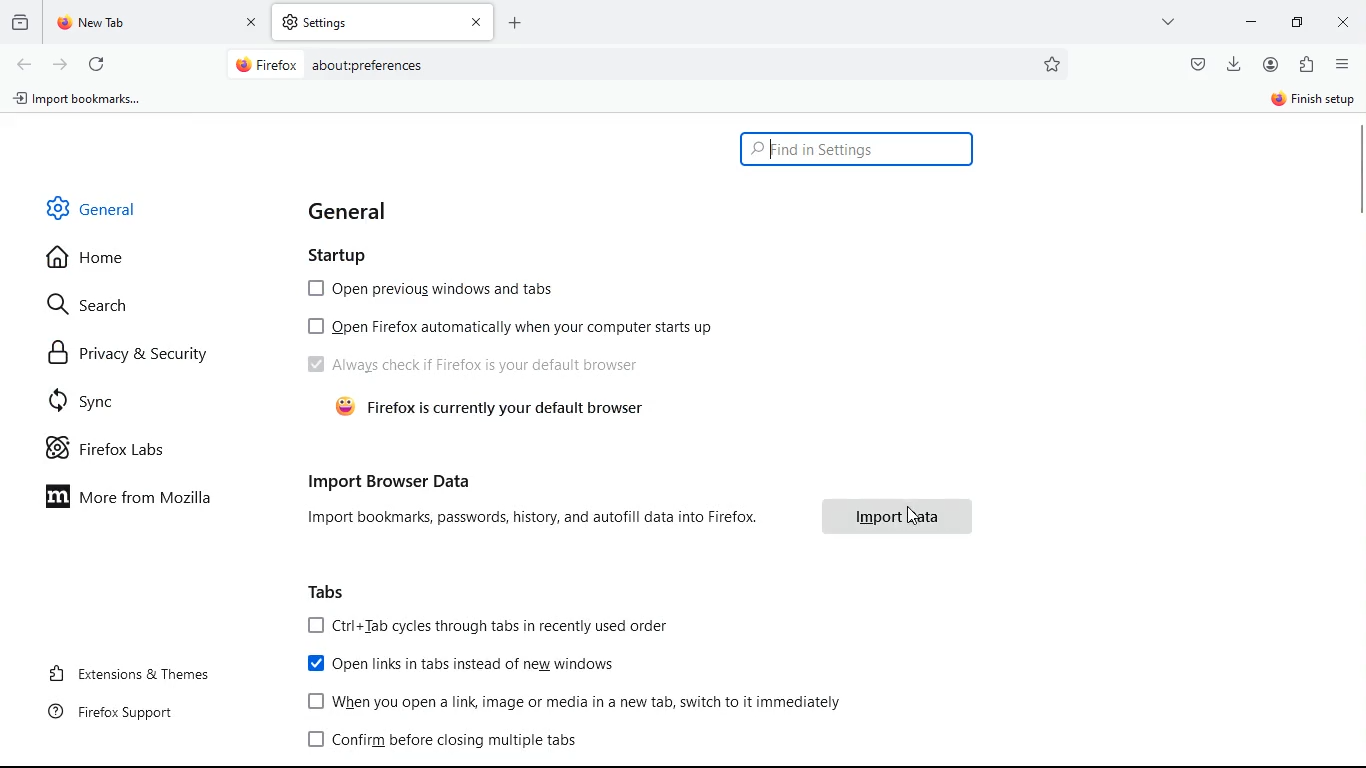 The image size is (1366, 768). What do you see at coordinates (1340, 65) in the screenshot?
I see `menu` at bounding box center [1340, 65].